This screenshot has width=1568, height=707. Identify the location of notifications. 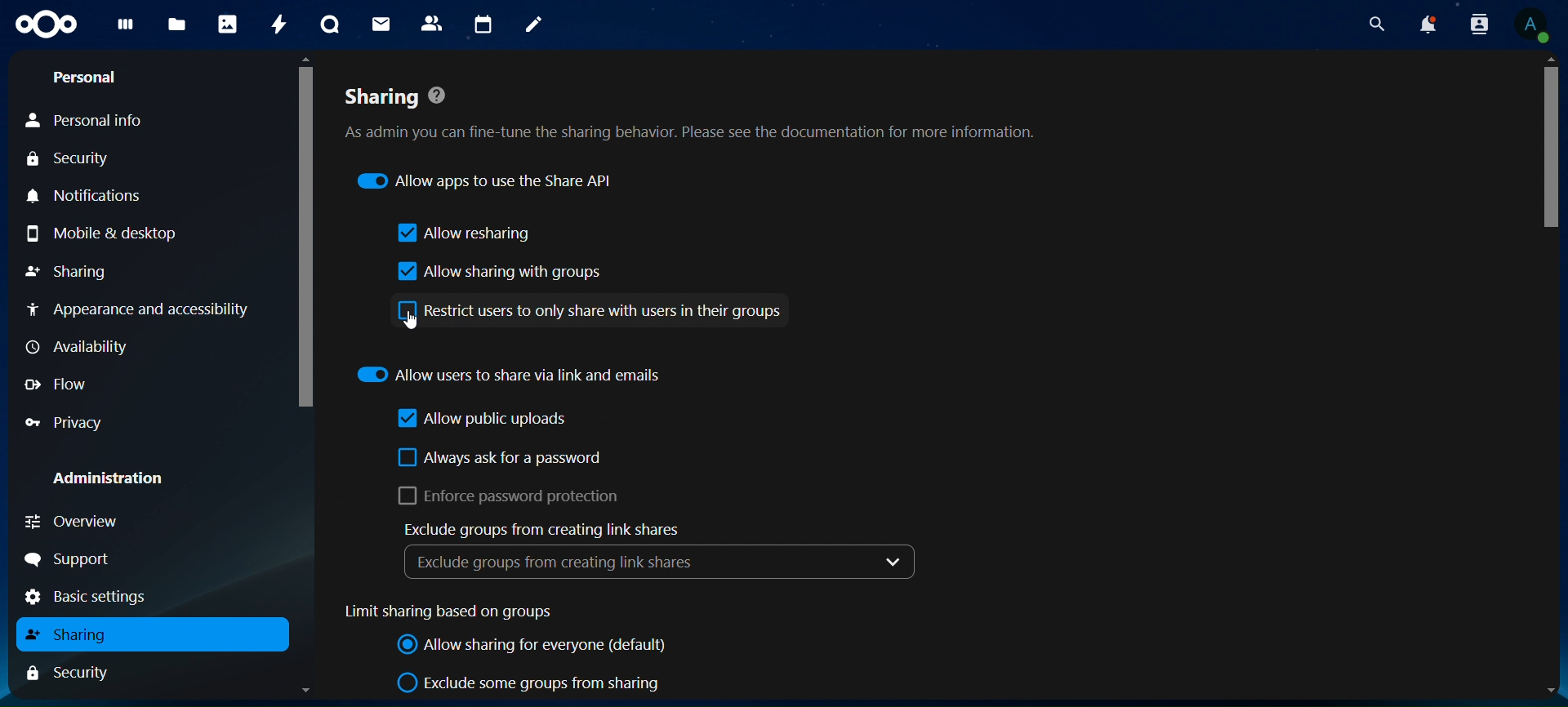
(1425, 23).